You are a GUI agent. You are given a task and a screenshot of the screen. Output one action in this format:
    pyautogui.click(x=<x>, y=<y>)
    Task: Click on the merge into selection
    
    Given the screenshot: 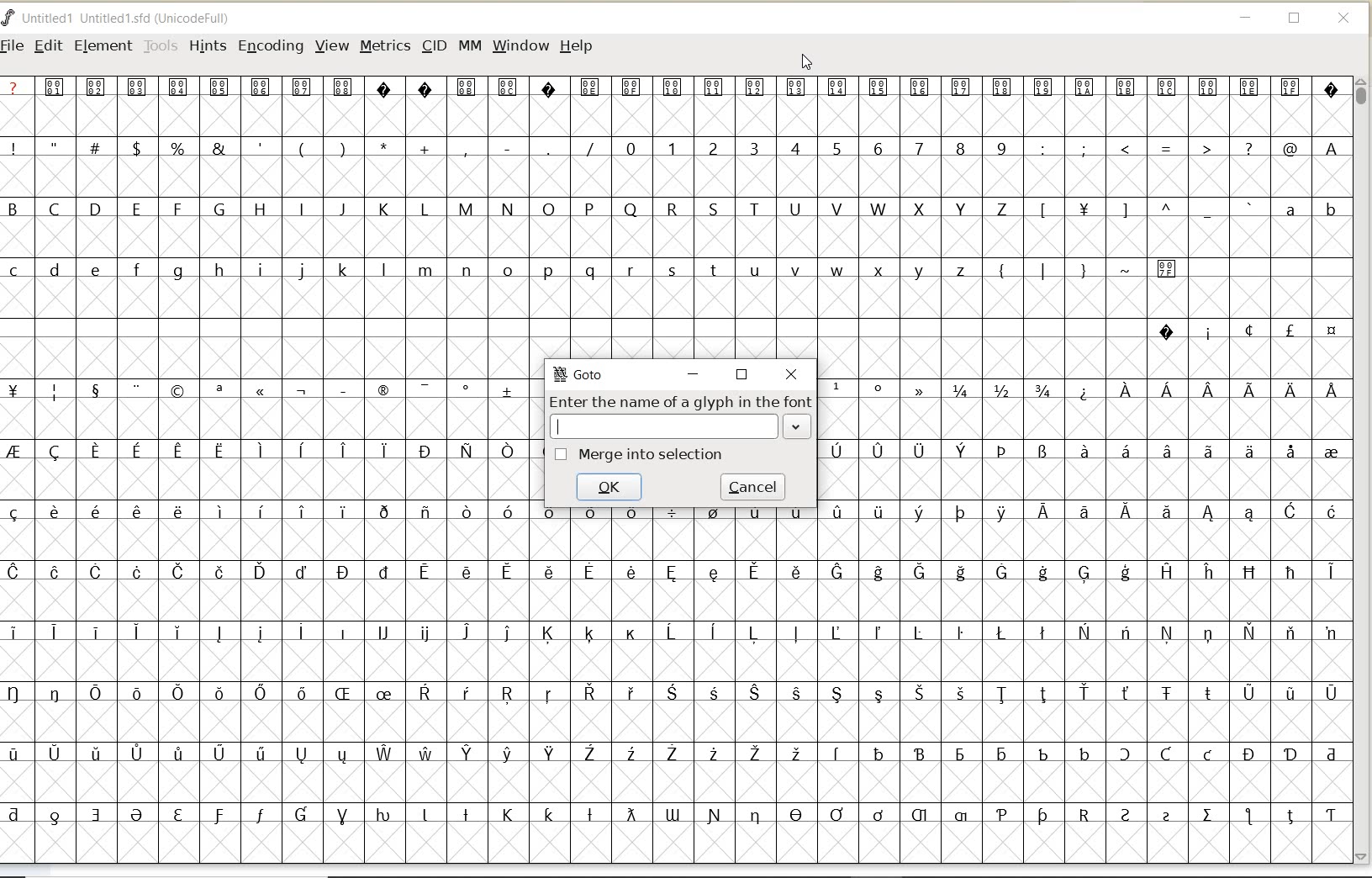 What is the action you would take?
    pyautogui.click(x=638, y=456)
    